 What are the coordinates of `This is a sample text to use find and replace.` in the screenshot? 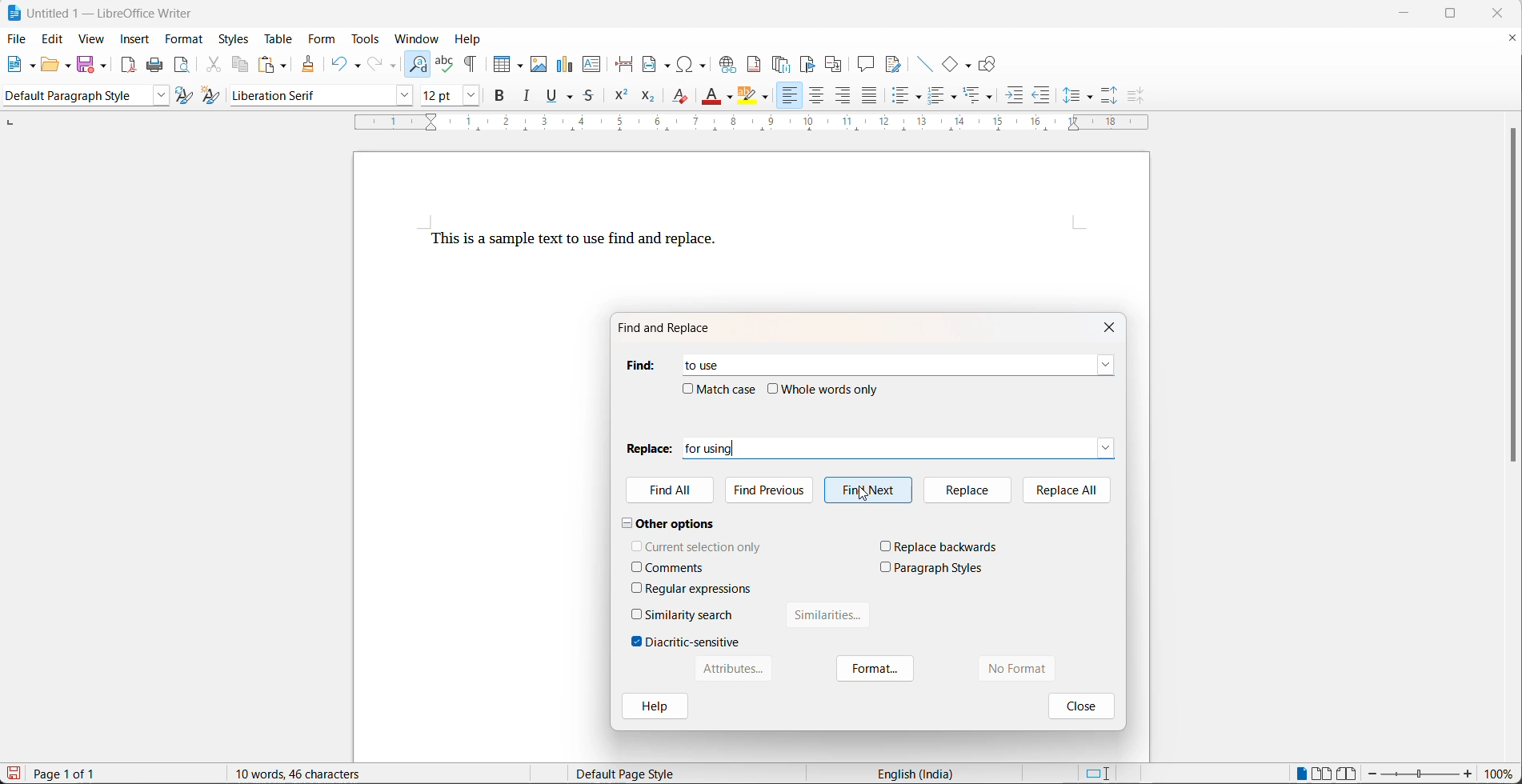 It's located at (574, 241).